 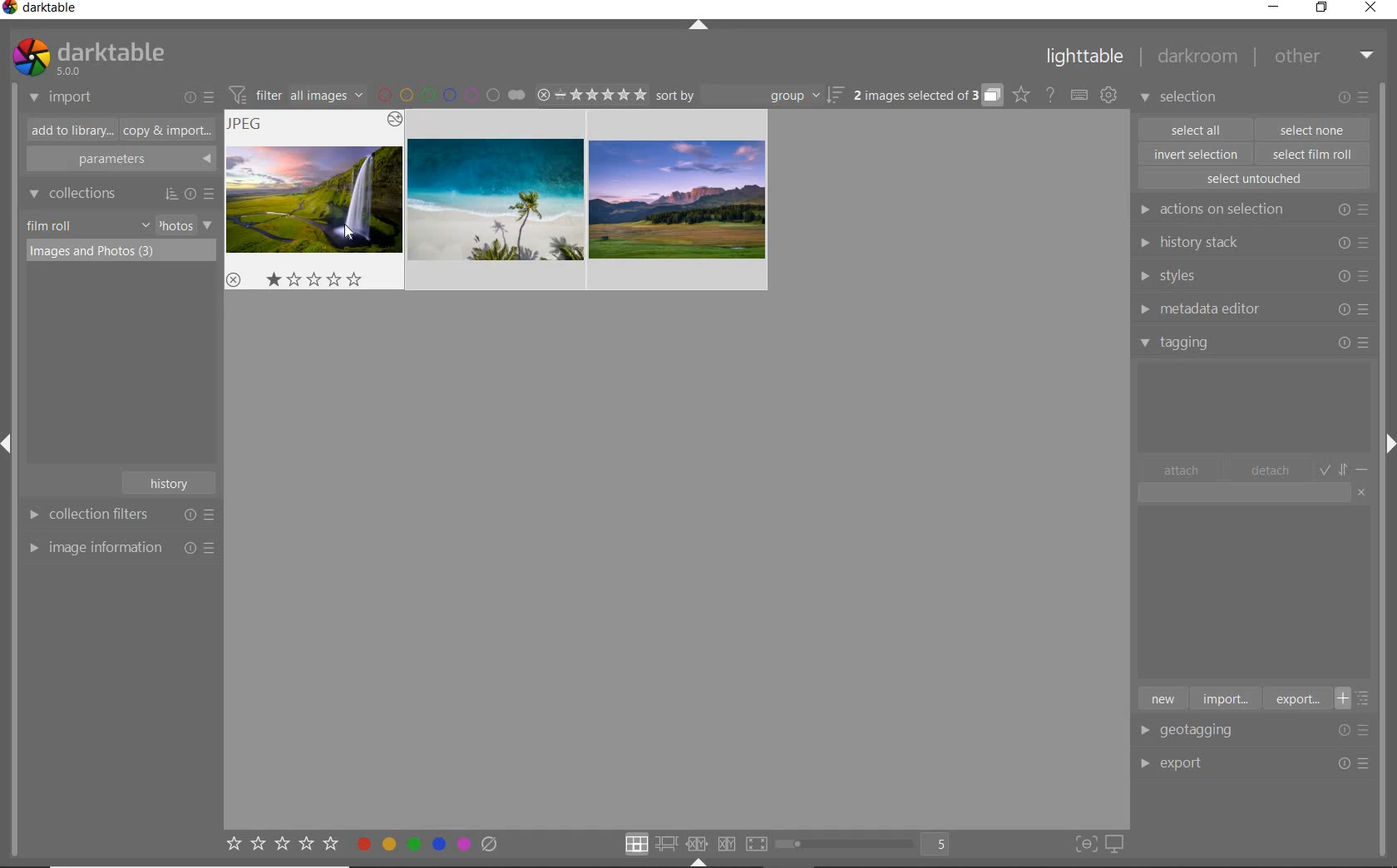 I want to click on filter images based on their module order, so click(x=294, y=93).